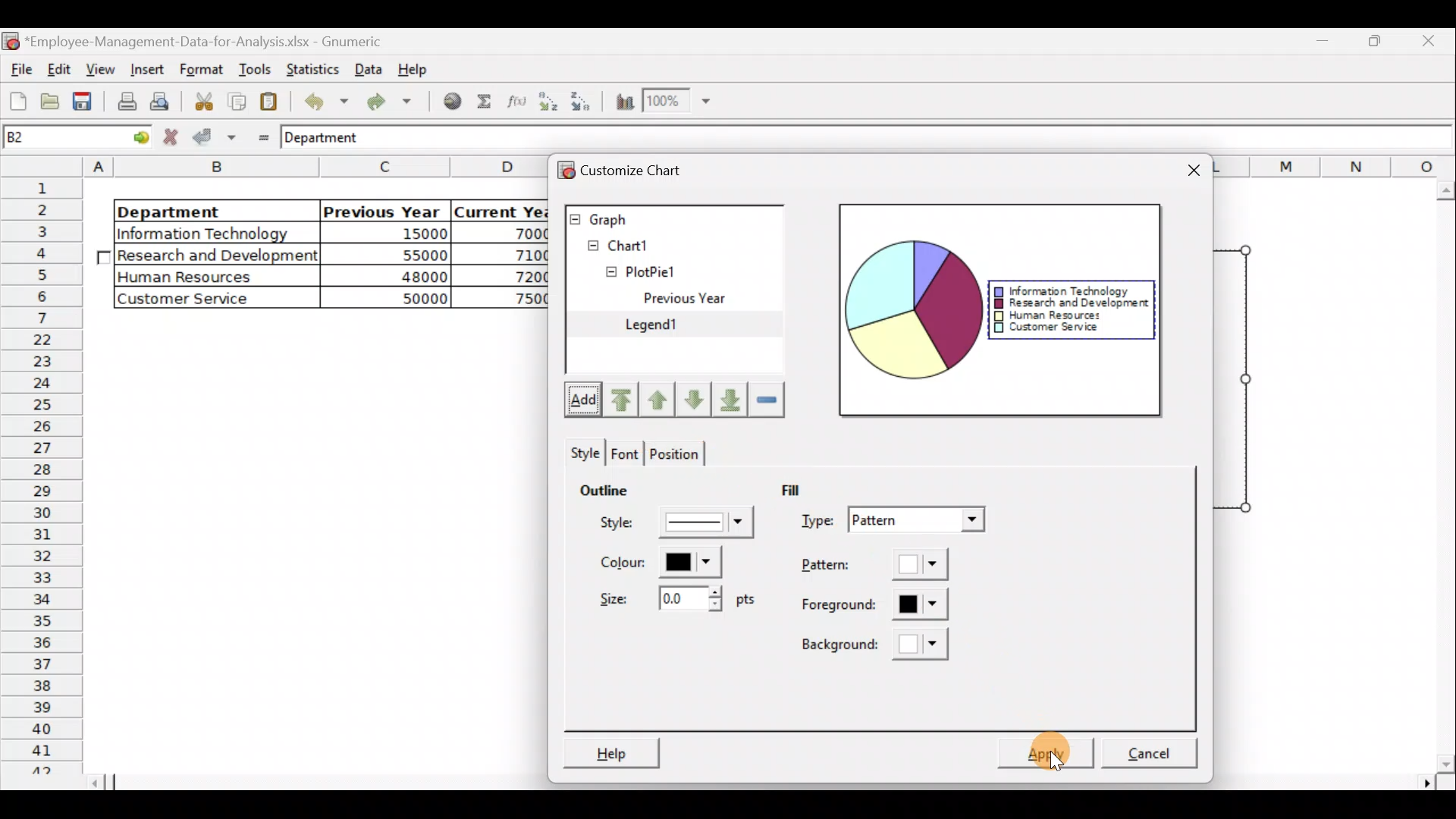  I want to click on Legend1, so click(672, 326).